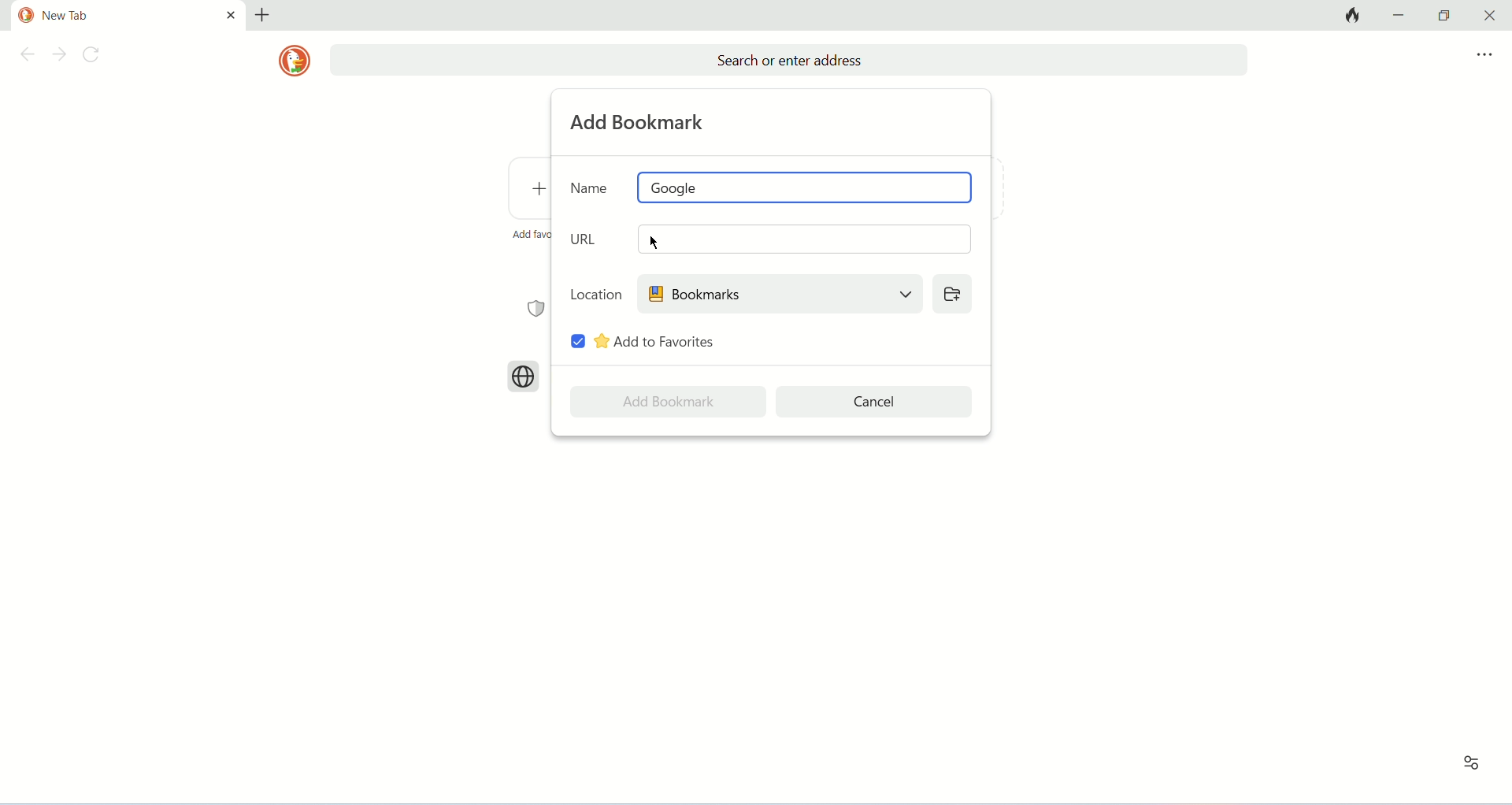  What do you see at coordinates (596, 293) in the screenshot?
I see `location` at bounding box center [596, 293].